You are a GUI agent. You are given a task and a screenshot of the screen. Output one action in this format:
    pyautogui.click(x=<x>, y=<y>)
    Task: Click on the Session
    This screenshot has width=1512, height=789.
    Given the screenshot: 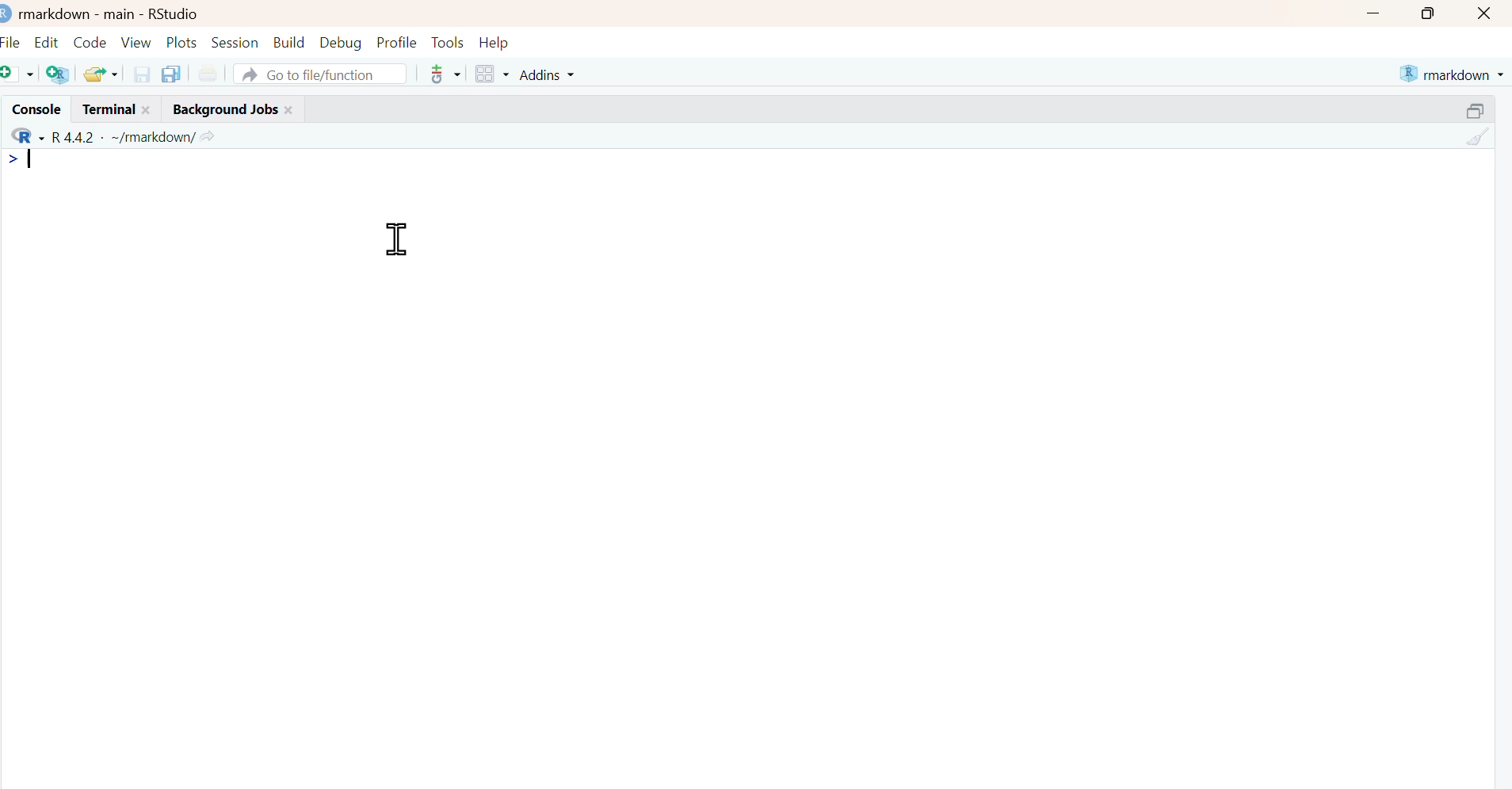 What is the action you would take?
    pyautogui.click(x=236, y=40)
    